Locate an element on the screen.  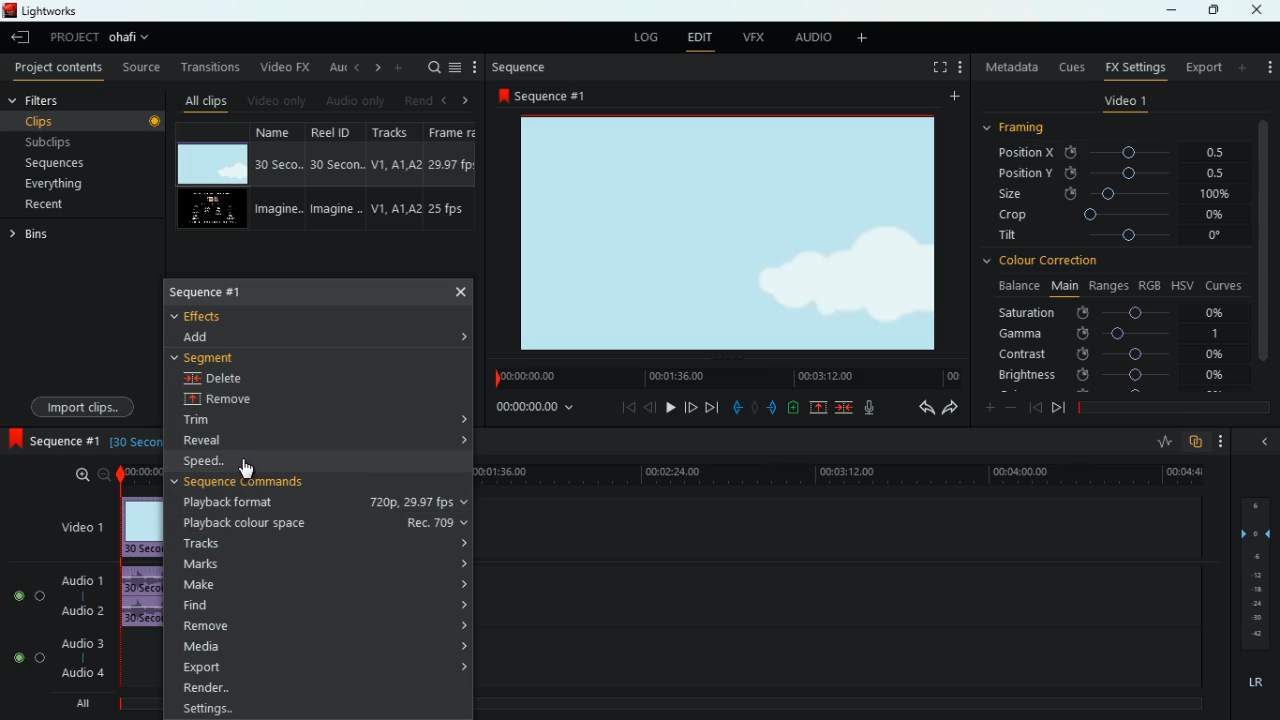
marks is located at coordinates (242, 565).